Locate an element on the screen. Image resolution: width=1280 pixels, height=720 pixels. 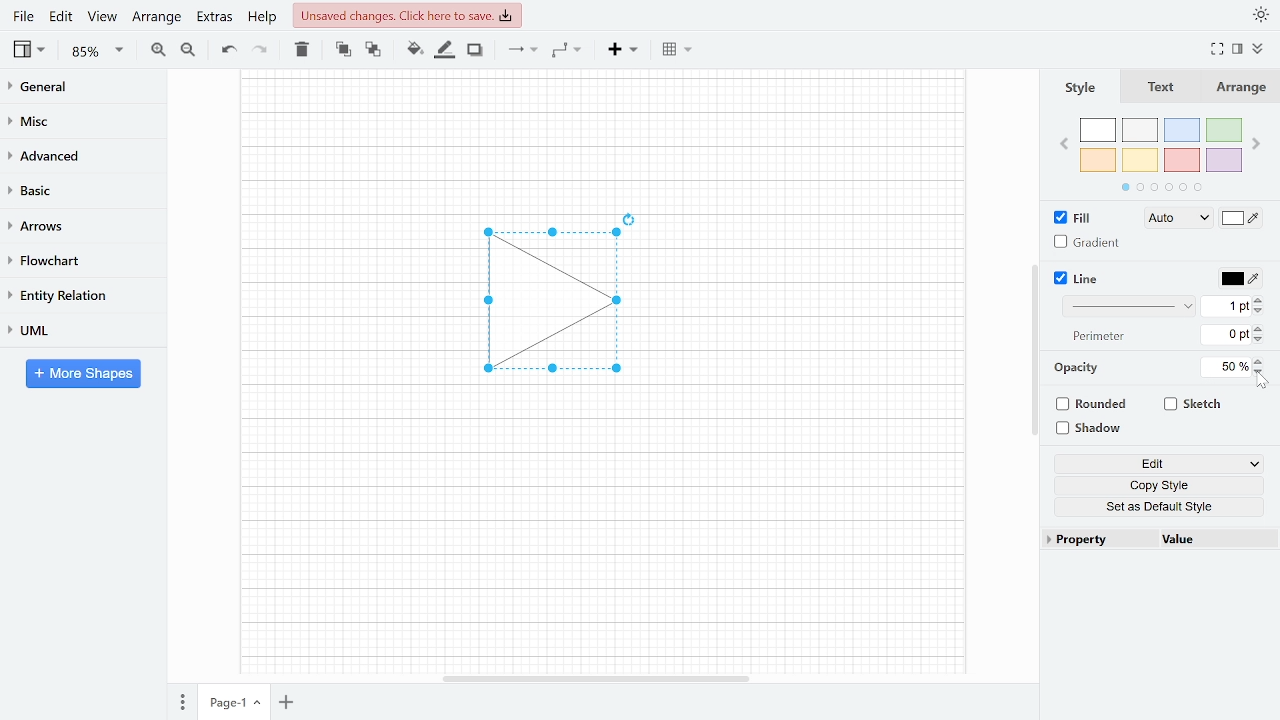
Increase Opacity is located at coordinates (1260, 360).